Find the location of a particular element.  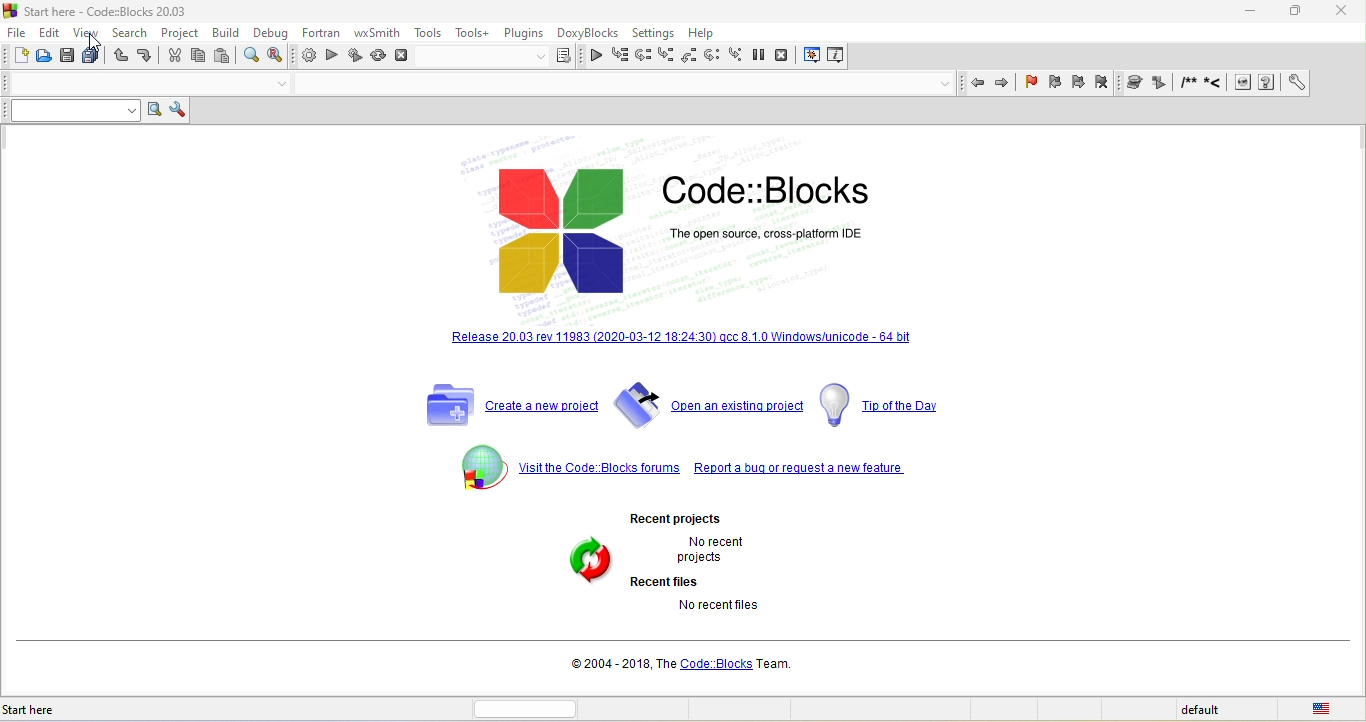

tools is located at coordinates (429, 32).